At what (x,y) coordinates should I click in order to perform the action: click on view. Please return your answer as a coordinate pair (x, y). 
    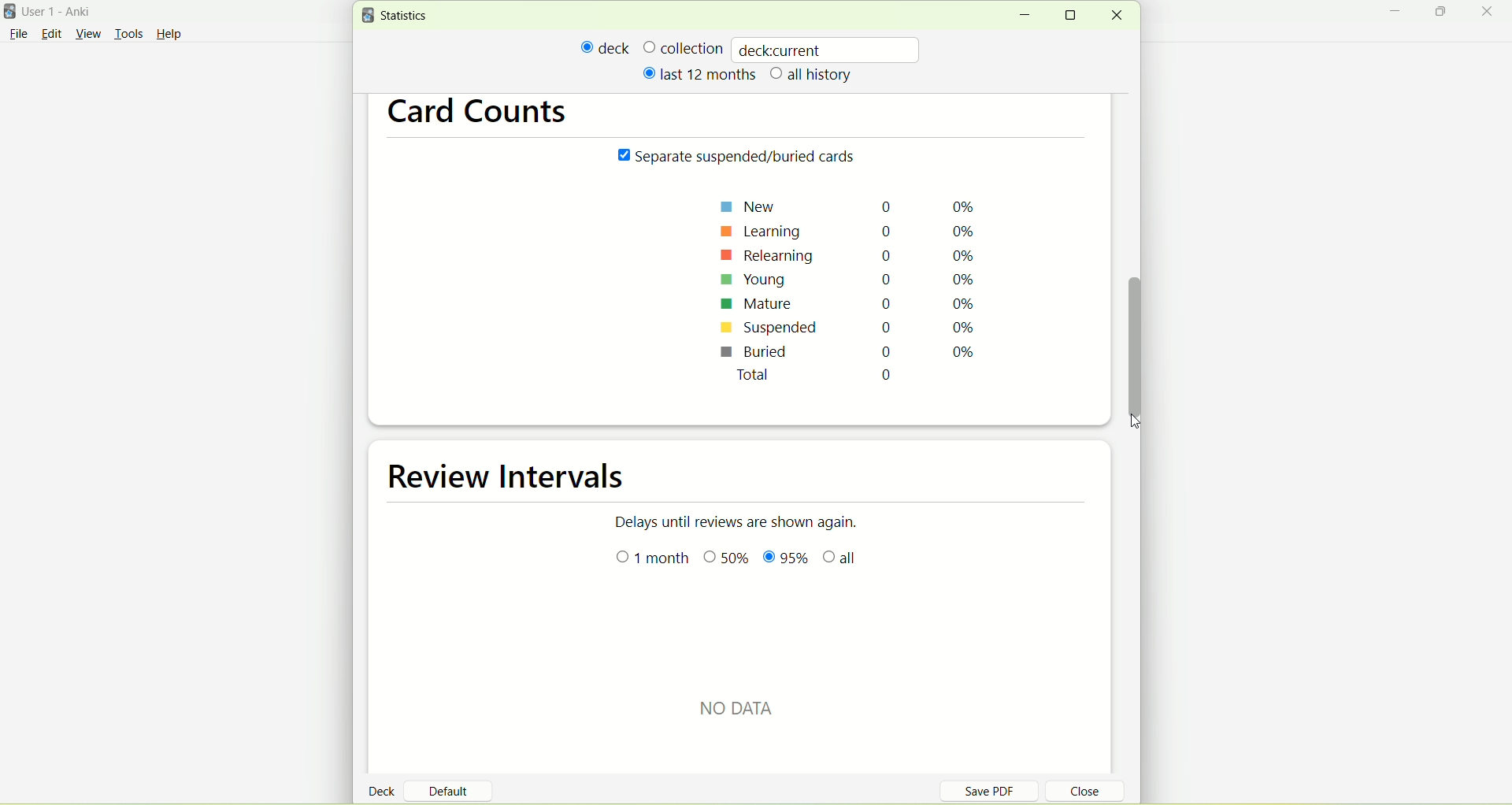
    Looking at the image, I should click on (91, 35).